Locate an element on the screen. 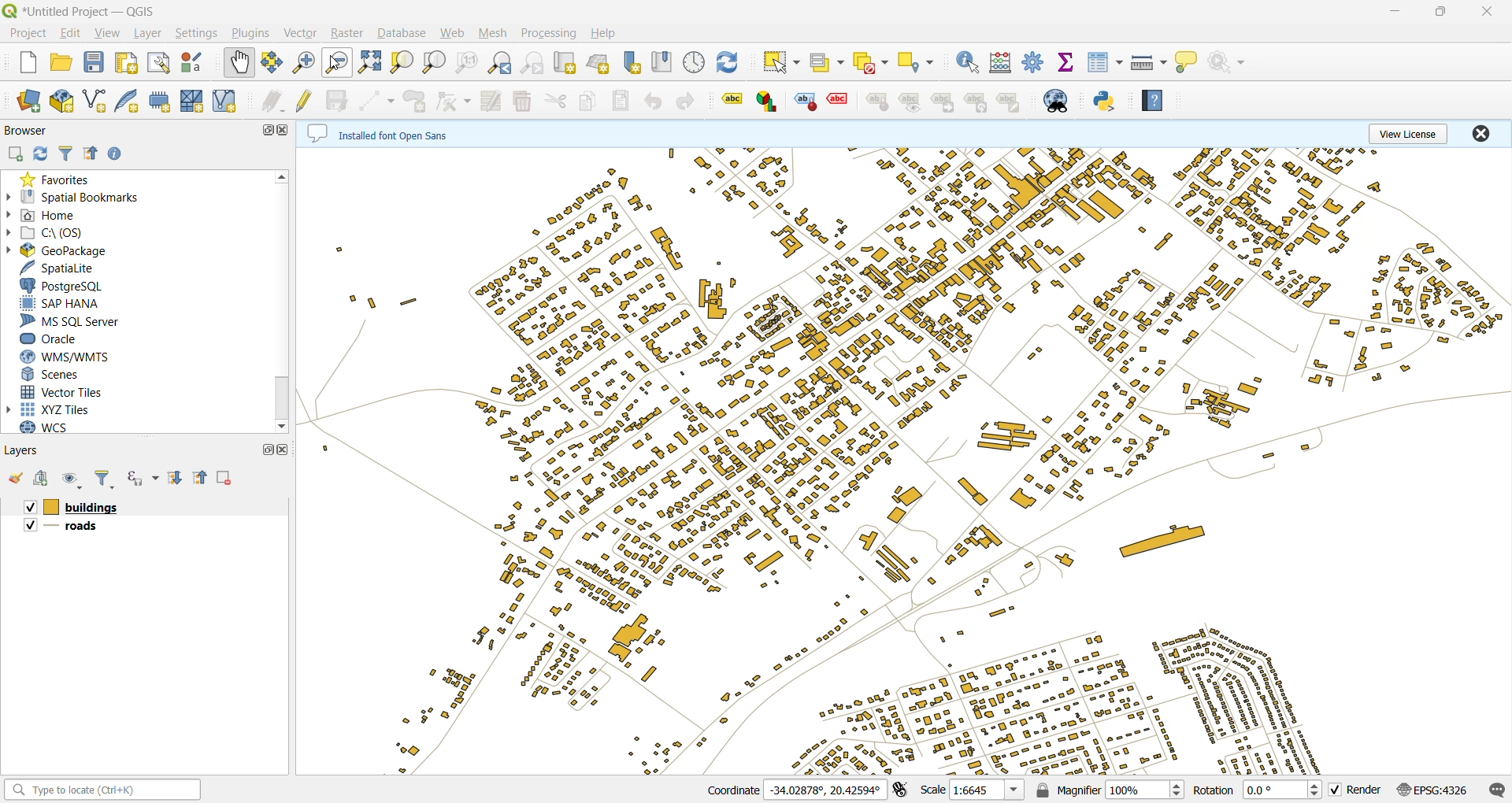  temporary scratch layer is located at coordinates (161, 102).